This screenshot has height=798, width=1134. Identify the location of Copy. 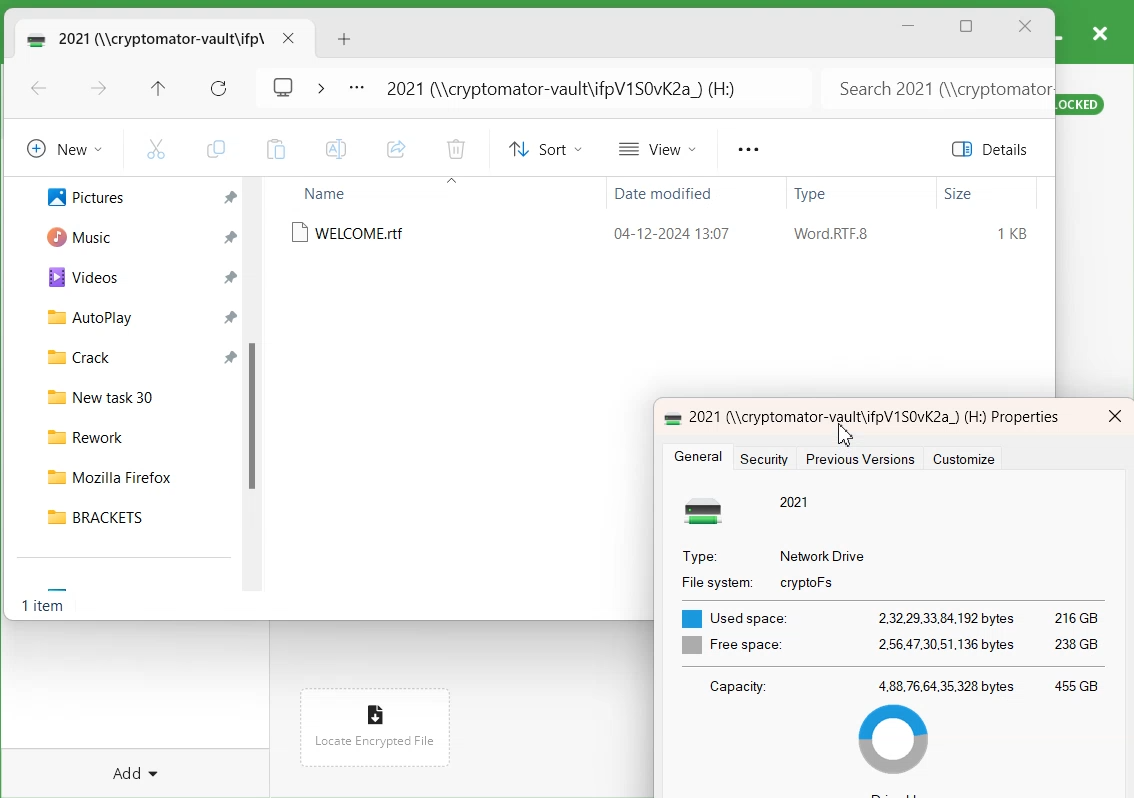
(215, 149).